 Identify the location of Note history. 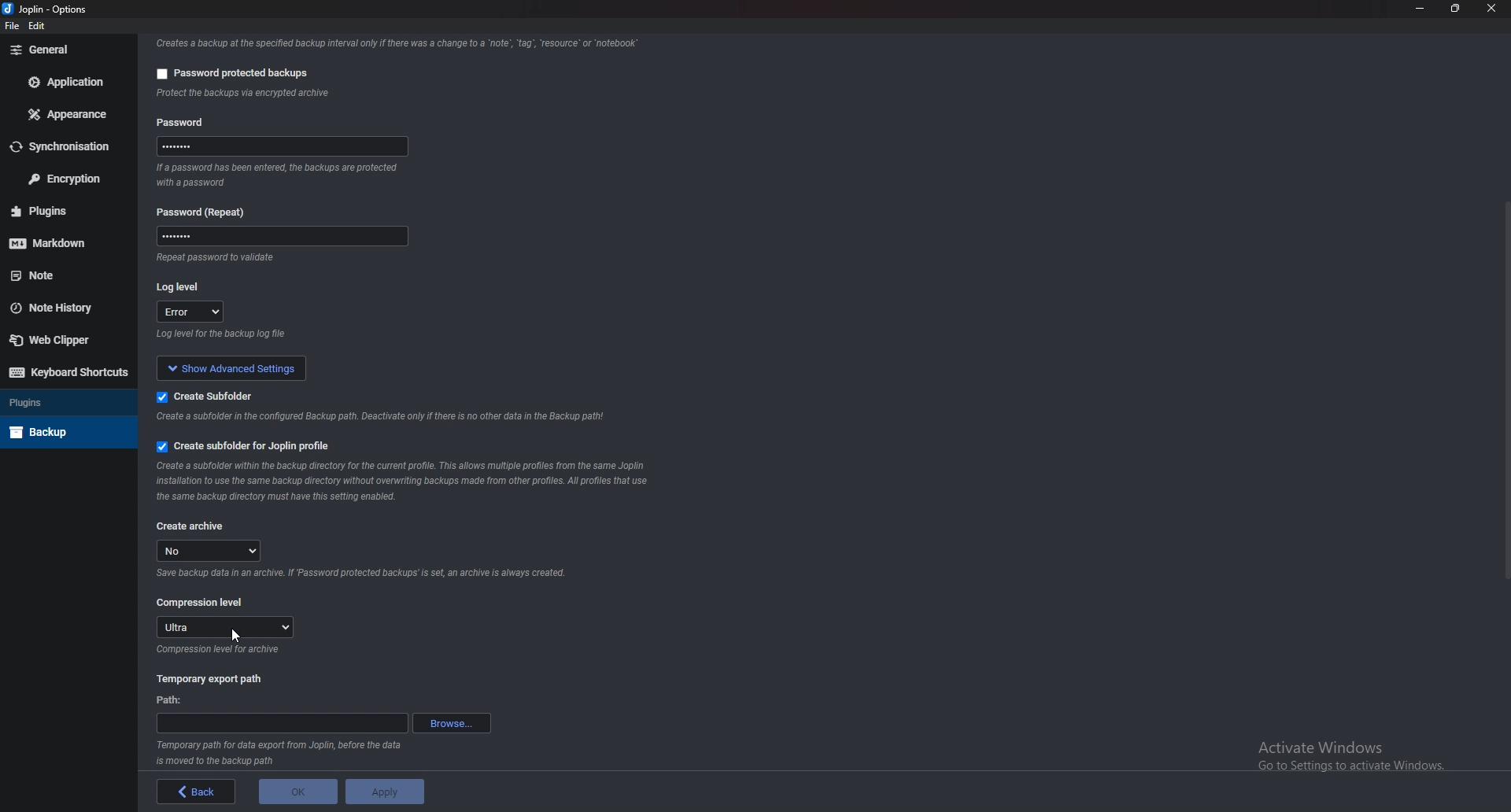
(65, 308).